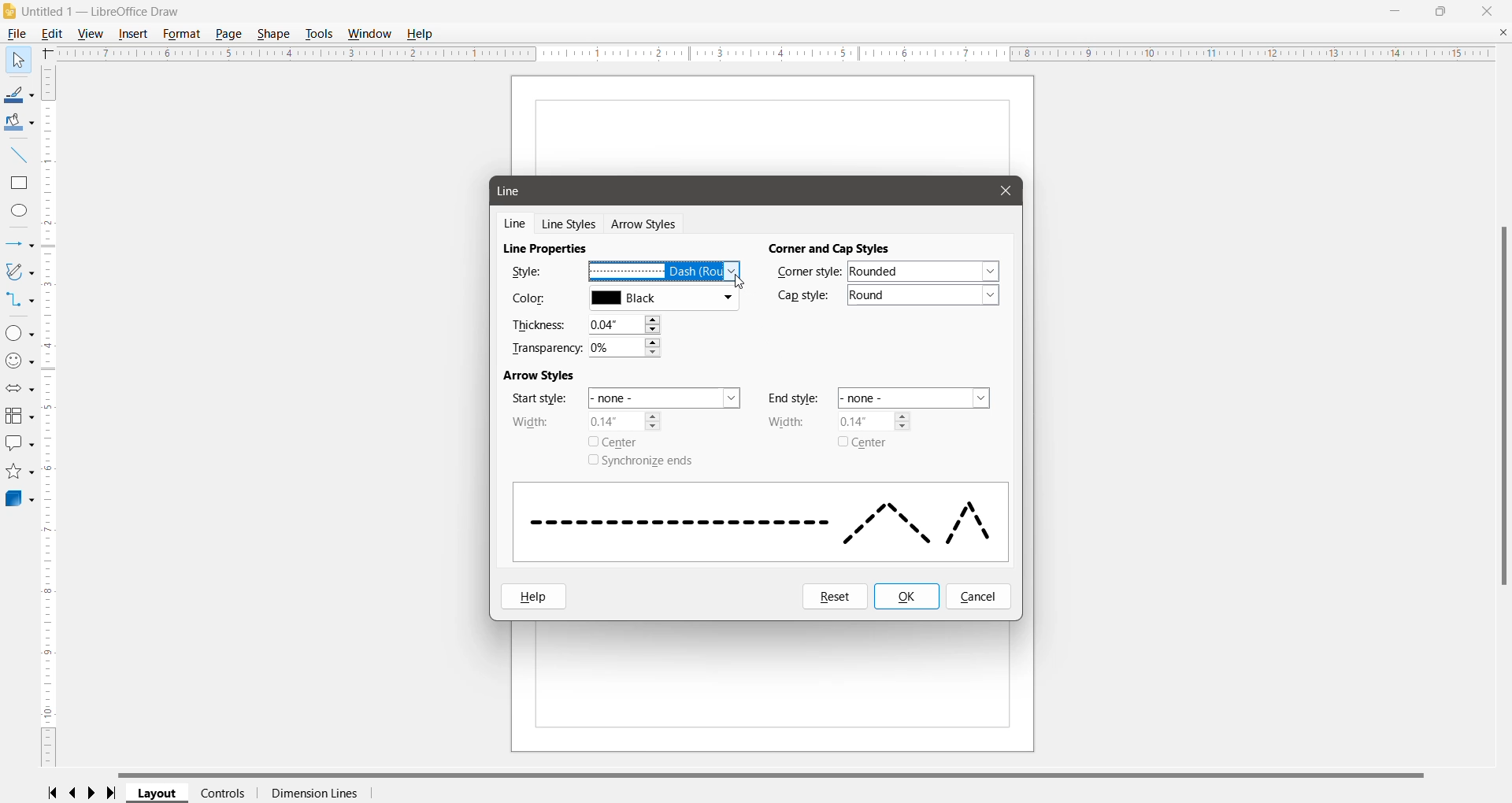 This screenshot has width=1512, height=803. Describe the element at coordinates (1503, 32) in the screenshot. I see `Close Document` at that location.